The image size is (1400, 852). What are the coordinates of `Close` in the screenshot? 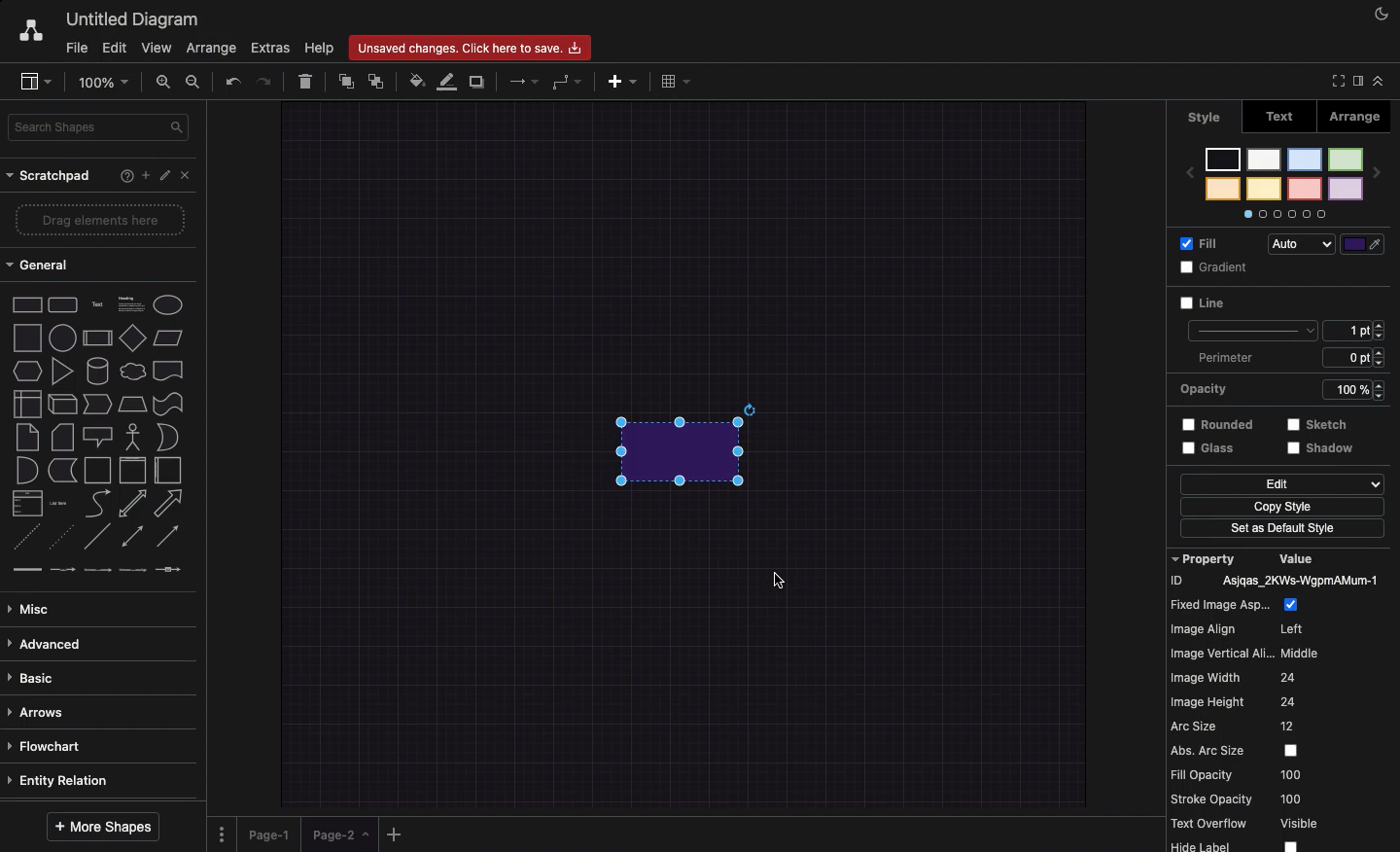 It's located at (189, 176).